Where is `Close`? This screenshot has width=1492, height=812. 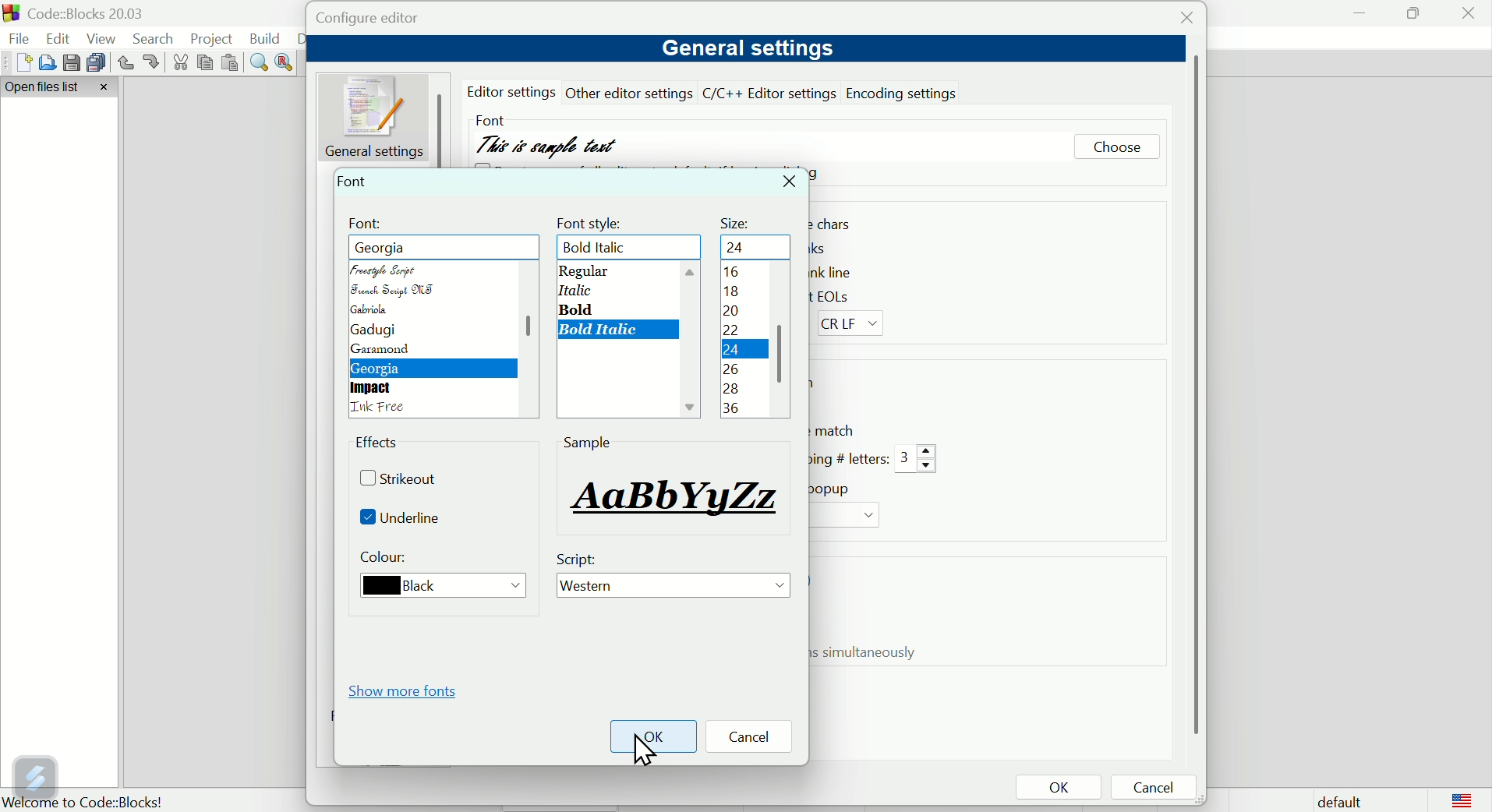
Close is located at coordinates (1183, 21).